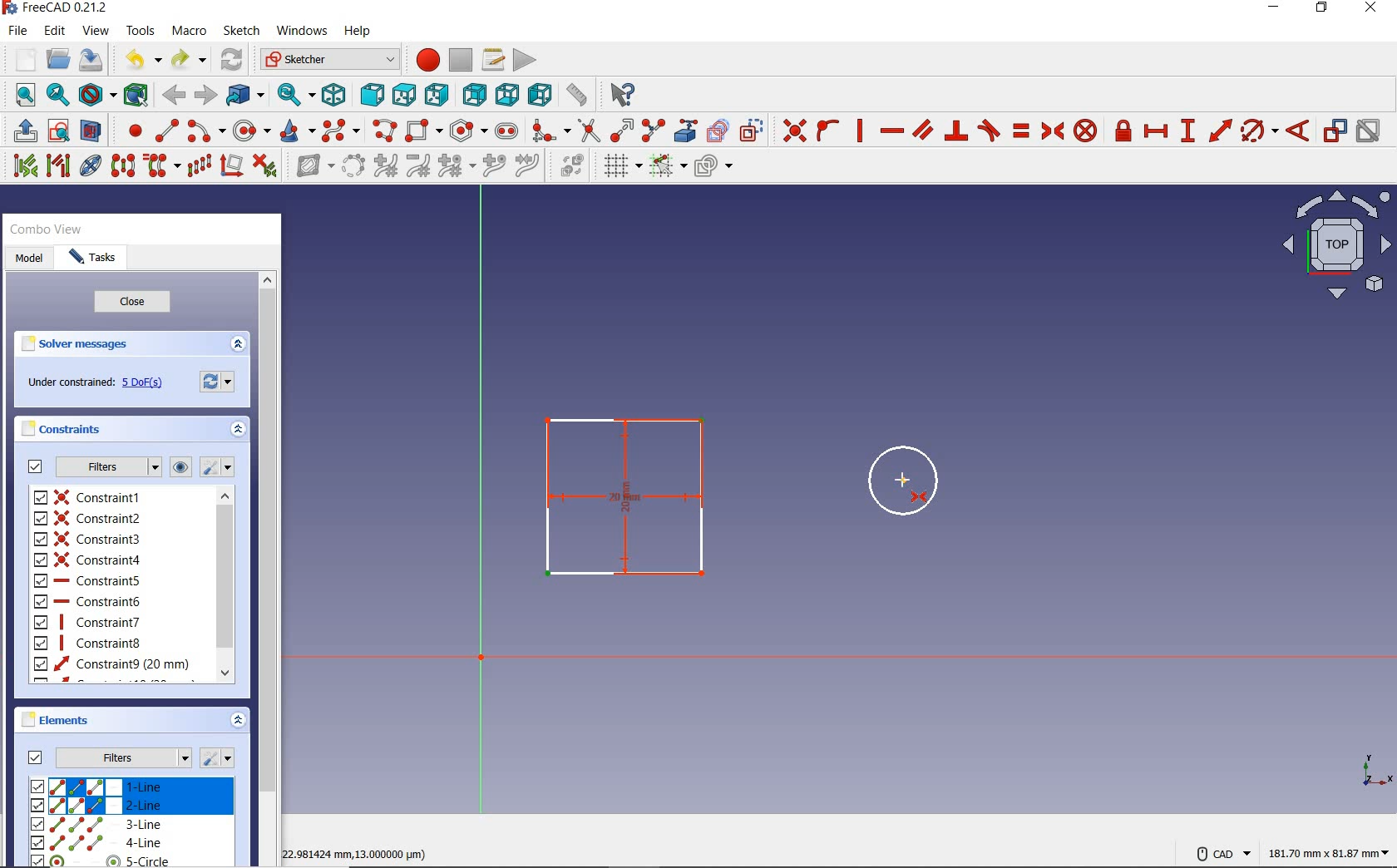 This screenshot has height=868, width=1397. Describe the element at coordinates (753, 128) in the screenshot. I see `toggle construction geometry` at that location.